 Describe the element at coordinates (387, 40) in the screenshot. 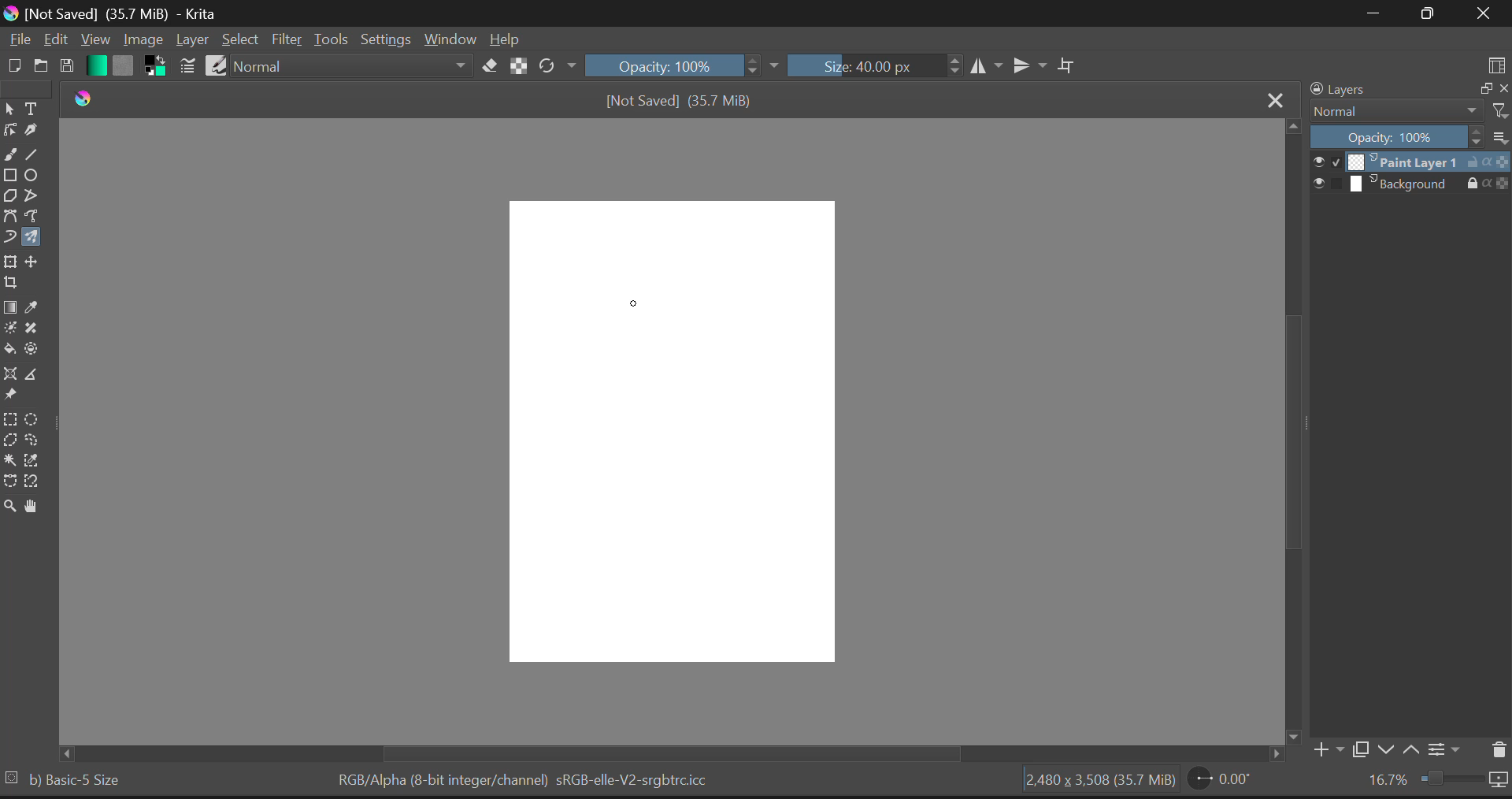

I see `Settings` at that location.